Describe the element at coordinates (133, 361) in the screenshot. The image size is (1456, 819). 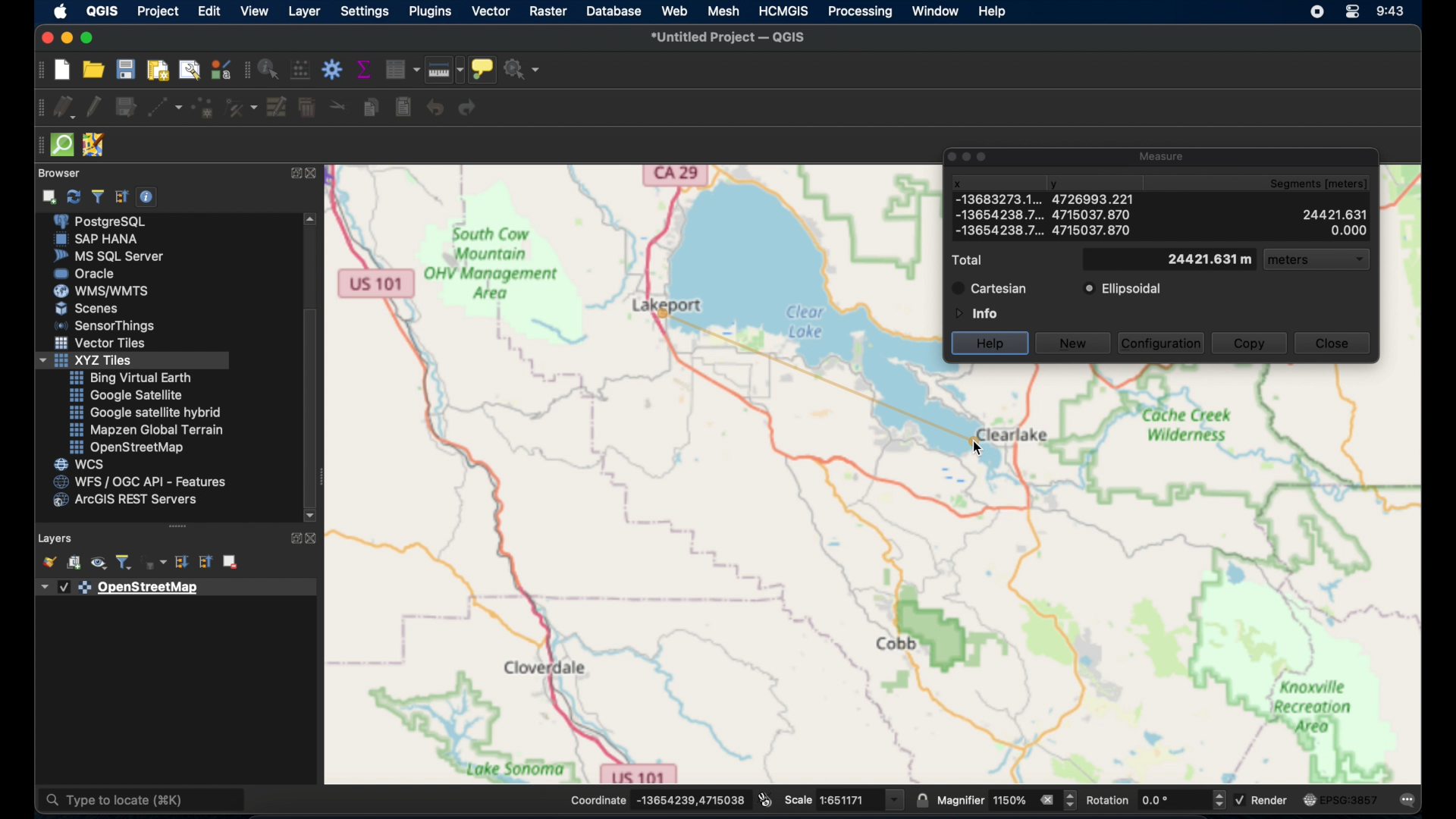
I see `xyzzy tiles` at that location.